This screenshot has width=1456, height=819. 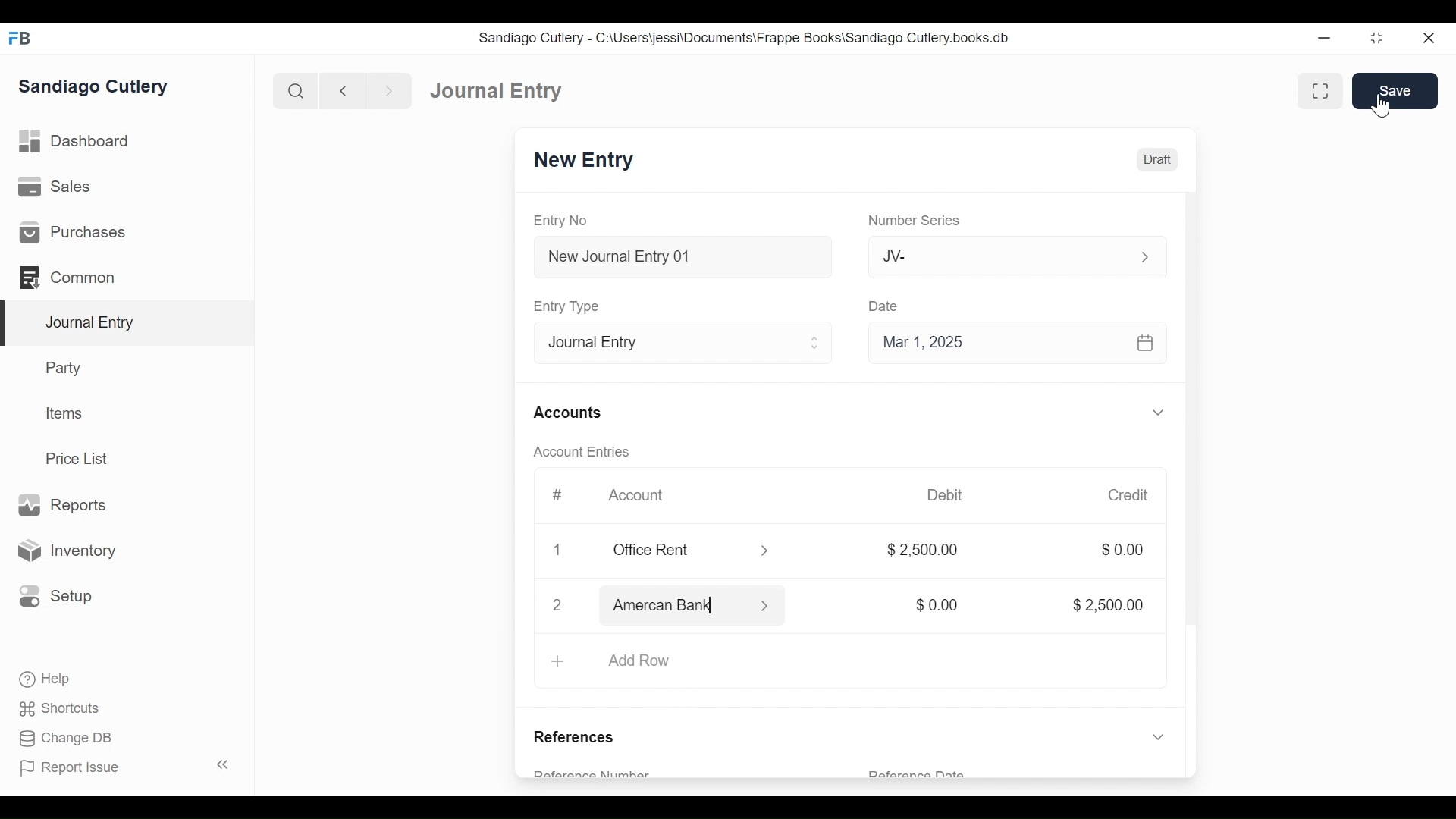 I want to click on Sandiago Cutlery, so click(x=102, y=88).